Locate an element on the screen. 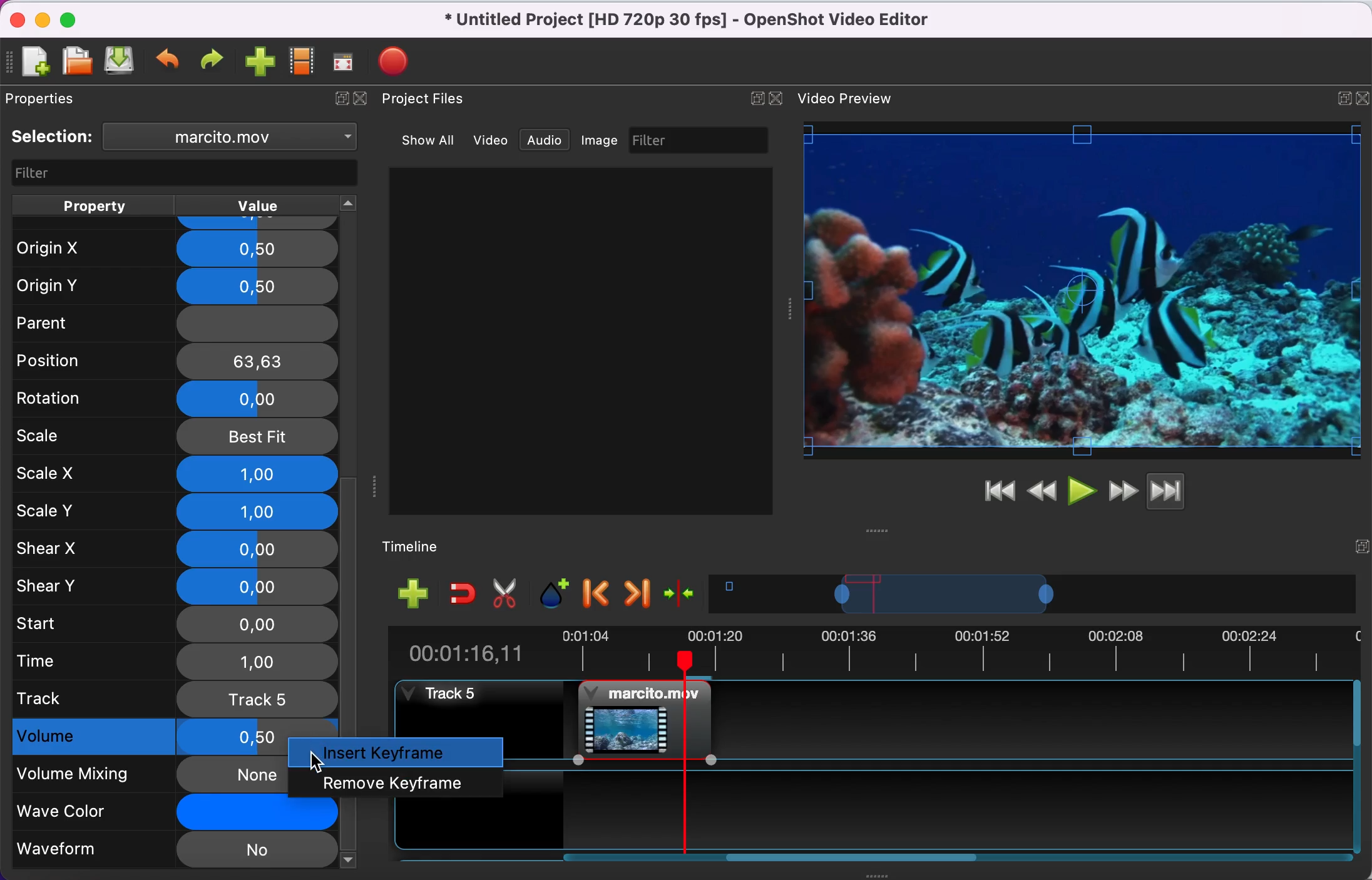 Image resolution: width=1372 pixels, height=880 pixels. jump to start is located at coordinates (999, 492).